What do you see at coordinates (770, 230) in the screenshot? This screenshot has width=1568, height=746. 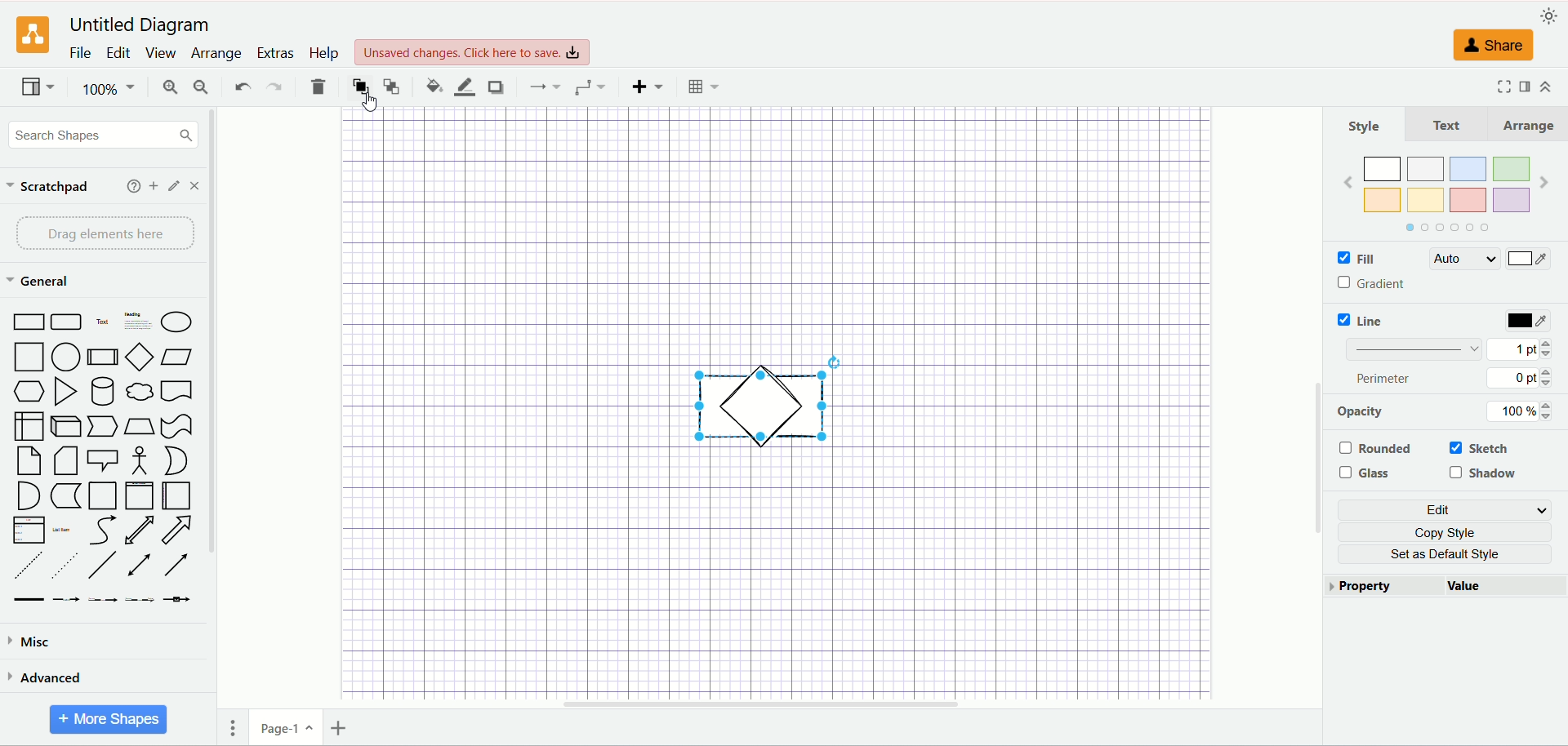 I see `canvas` at bounding box center [770, 230].